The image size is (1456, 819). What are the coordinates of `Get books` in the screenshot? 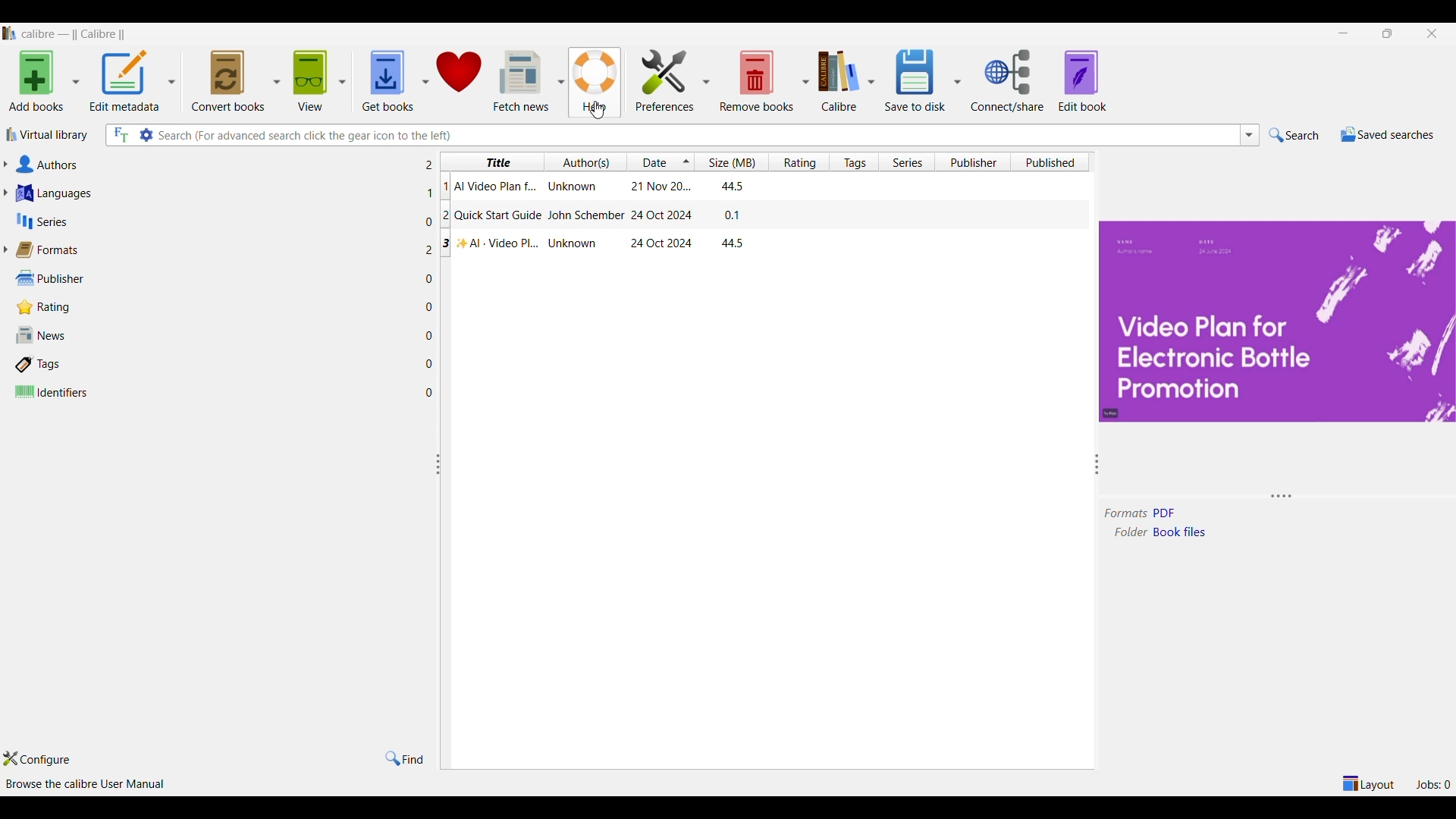 It's located at (388, 81).